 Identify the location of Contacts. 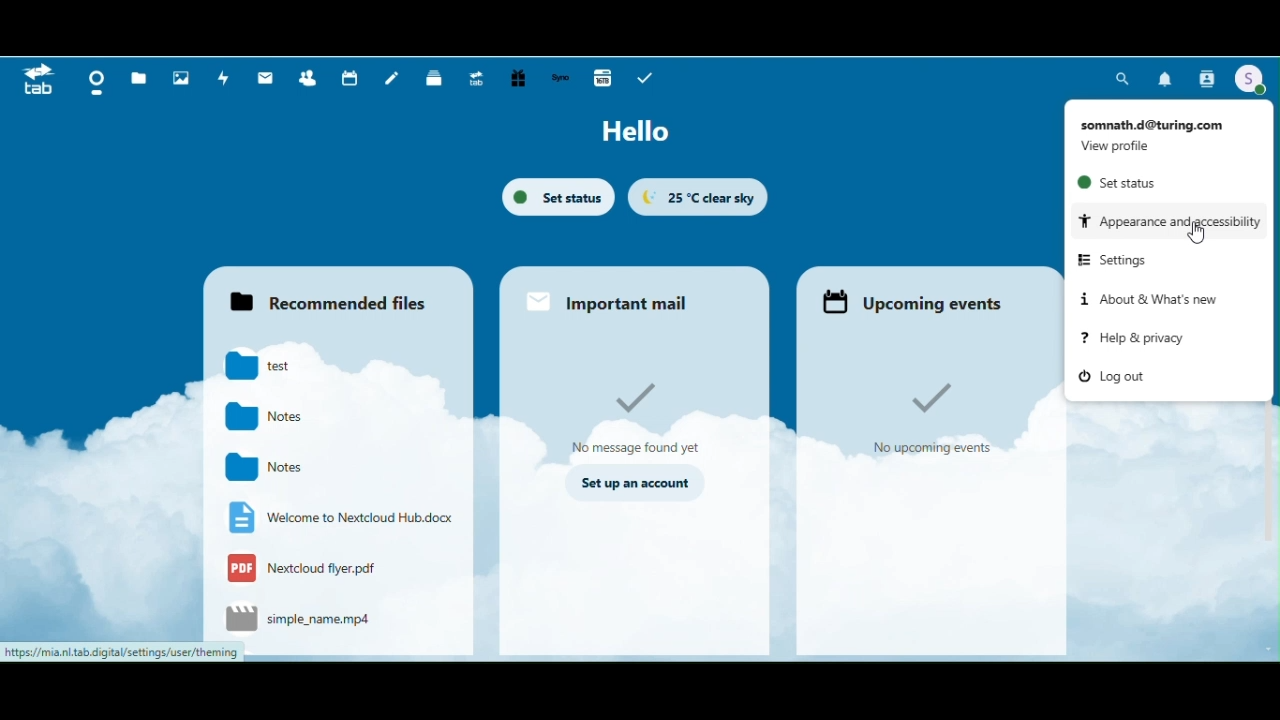
(310, 78).